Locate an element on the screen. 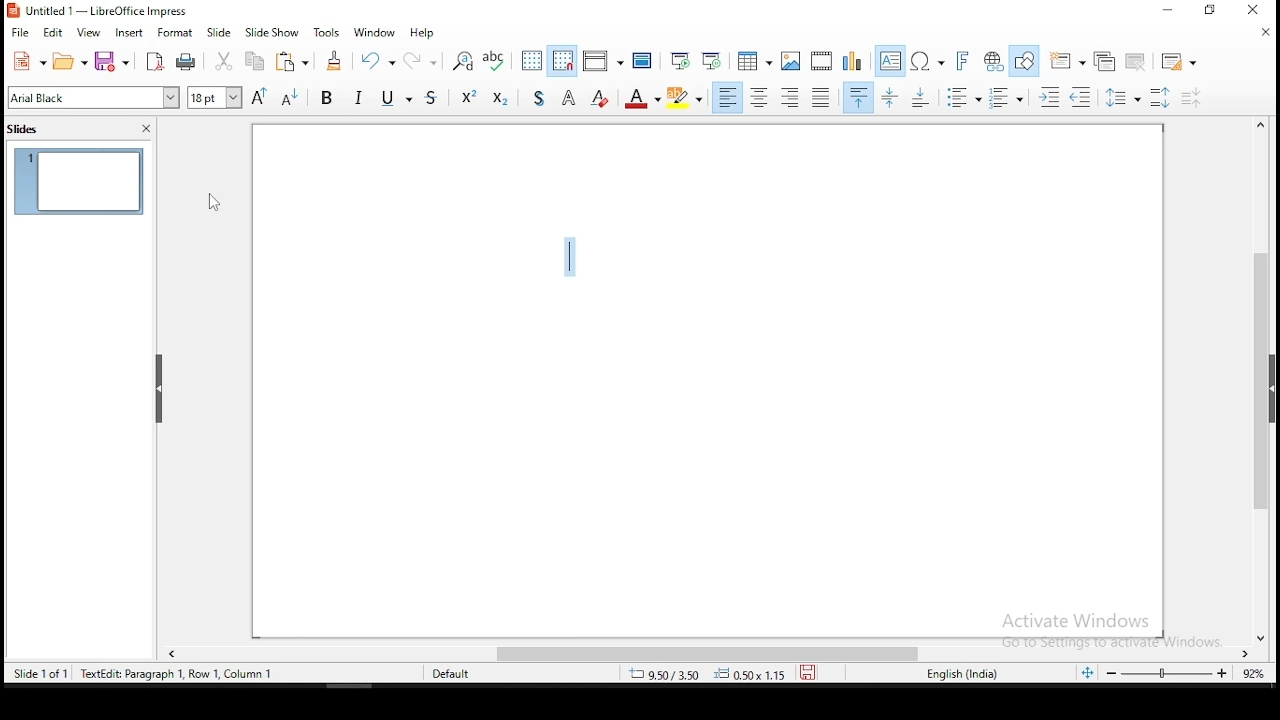  help is located at coordinates (423, 33).